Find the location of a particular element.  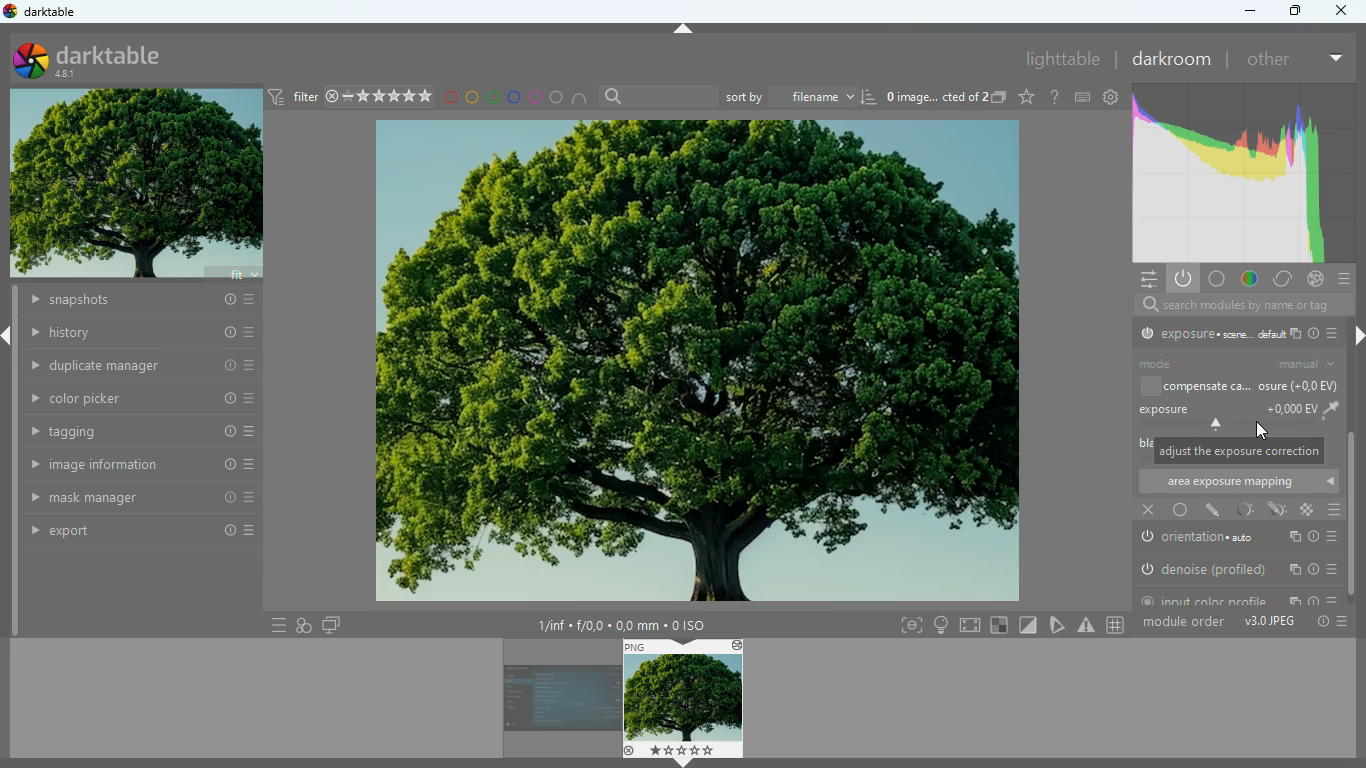

v3.0 JPEG is located at coordinates (1267, 623).